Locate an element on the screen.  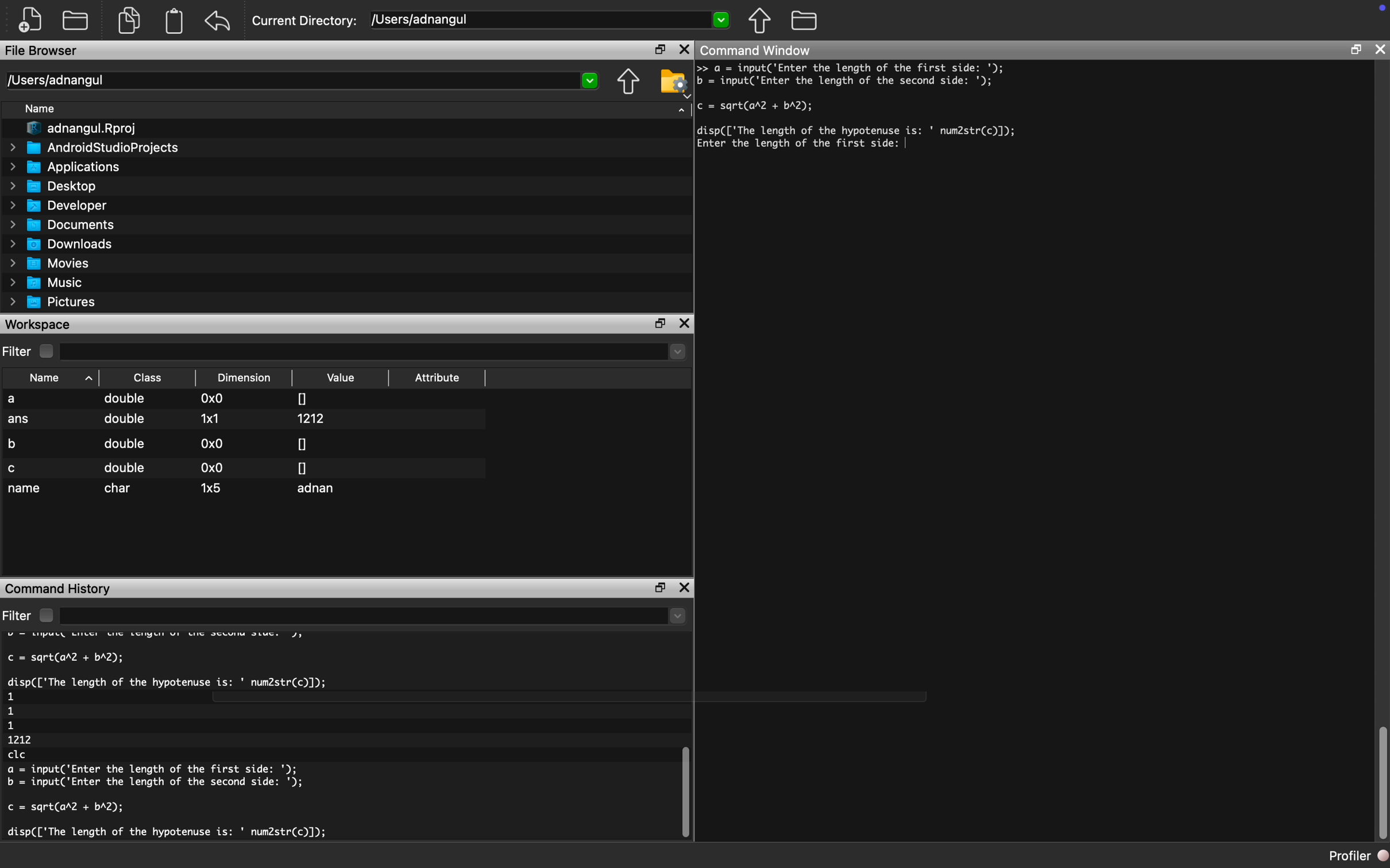
undo is located at coordinates (218, 21).